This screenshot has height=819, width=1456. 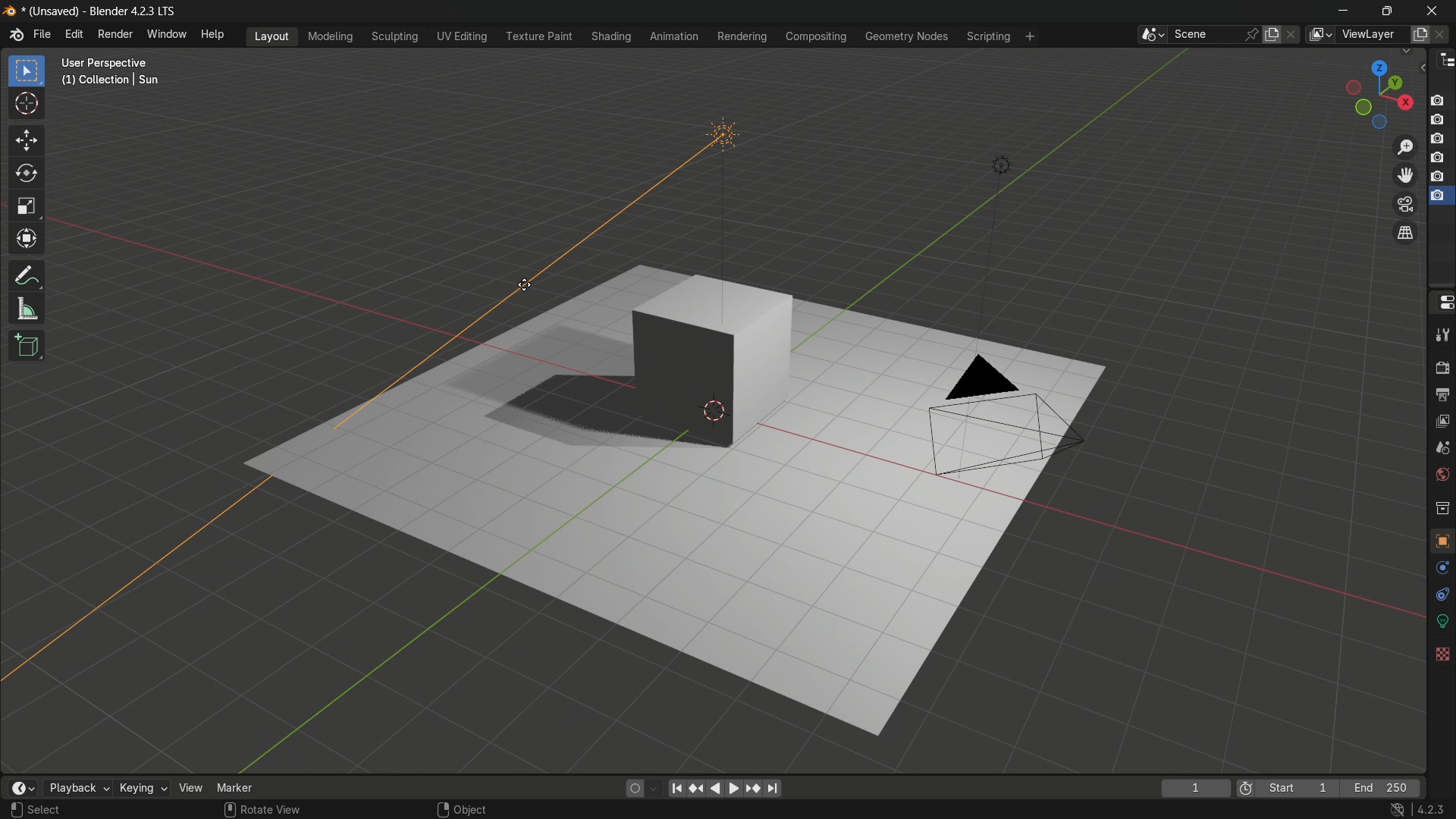 I want to click on view layer, so click(x=1321, y=35).